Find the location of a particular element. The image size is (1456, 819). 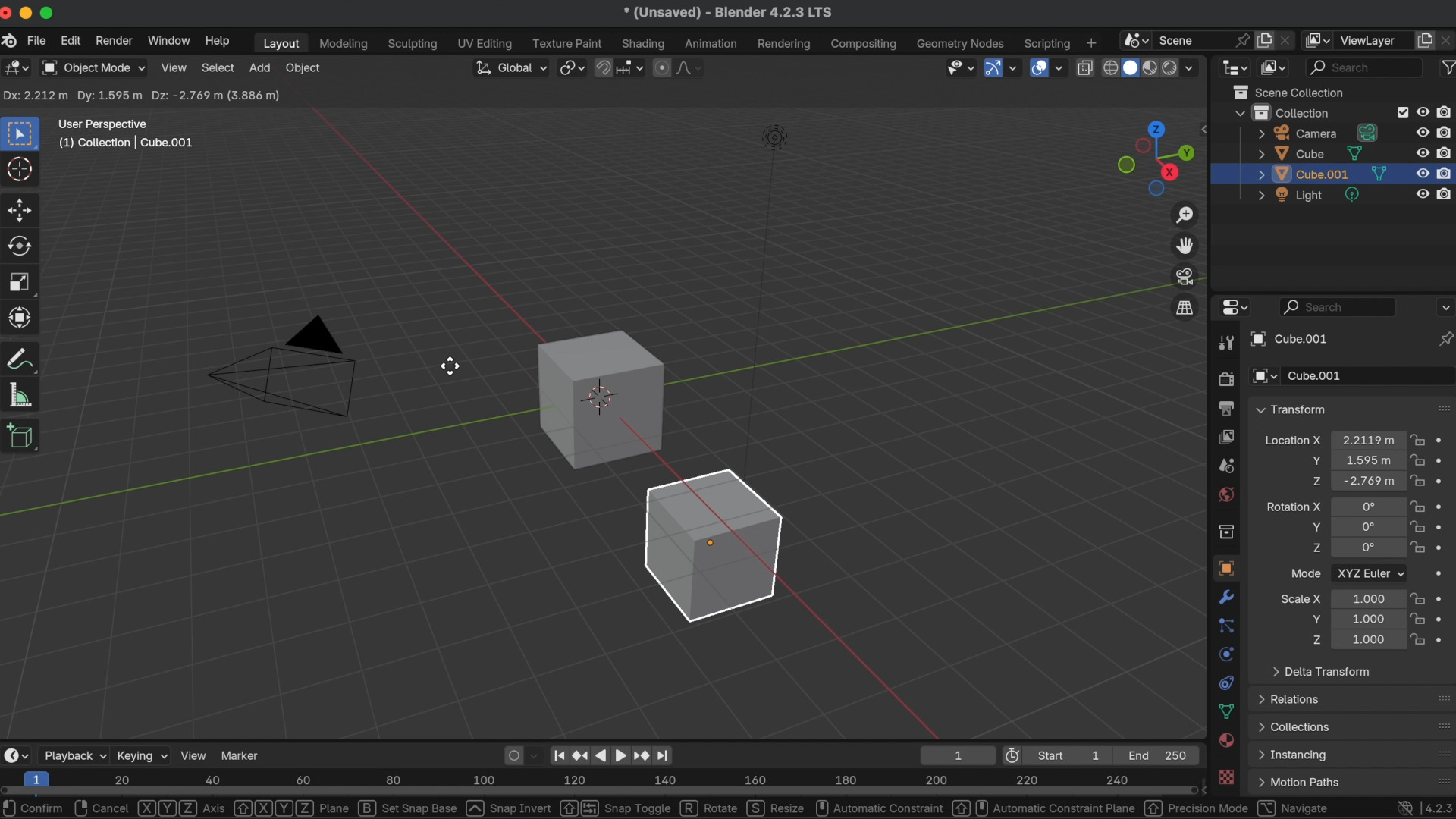

lock rotation is located at coordinates (1418, 528).